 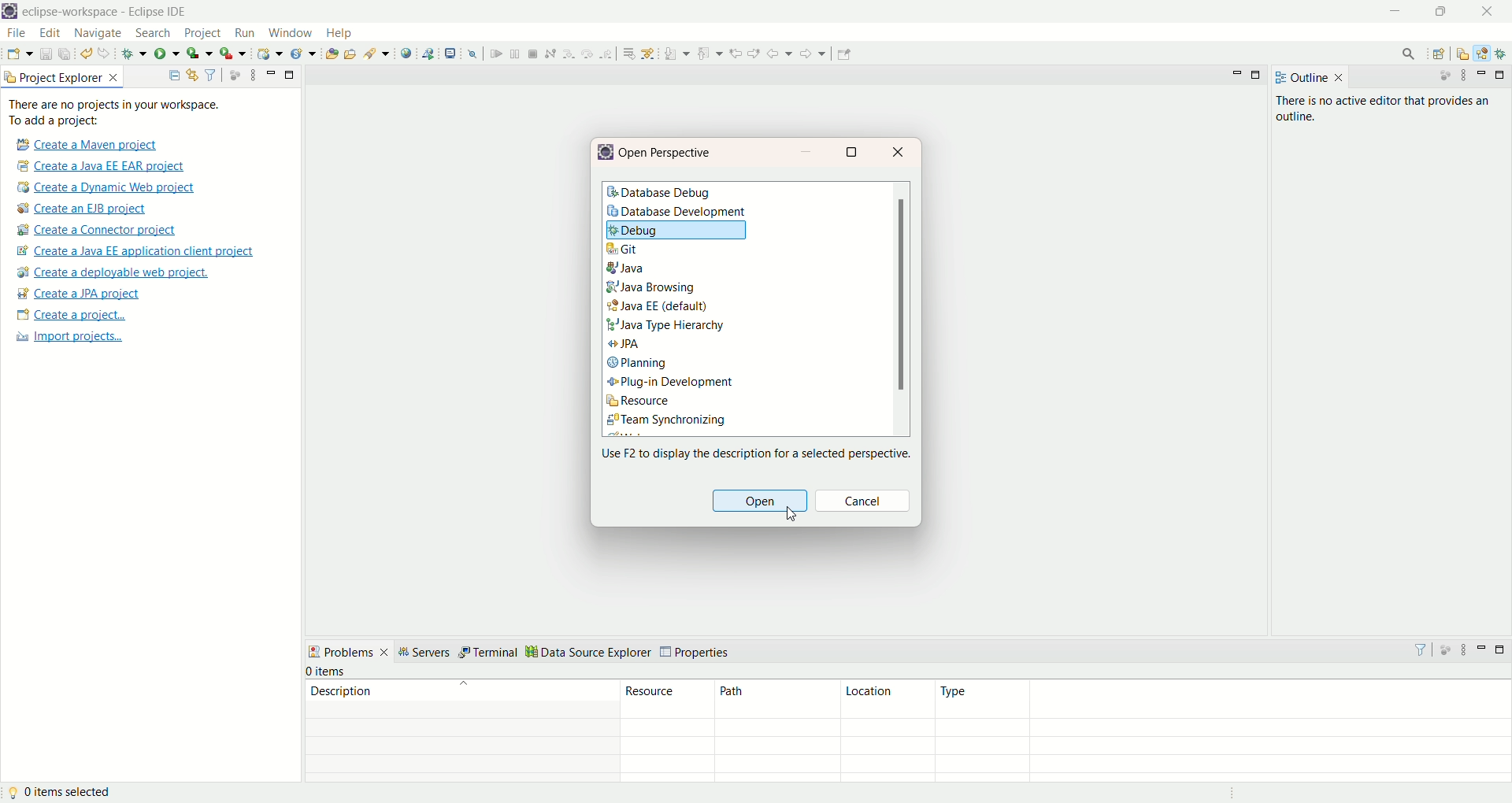 I want to click on java browsing, so click(x=651, y=287).